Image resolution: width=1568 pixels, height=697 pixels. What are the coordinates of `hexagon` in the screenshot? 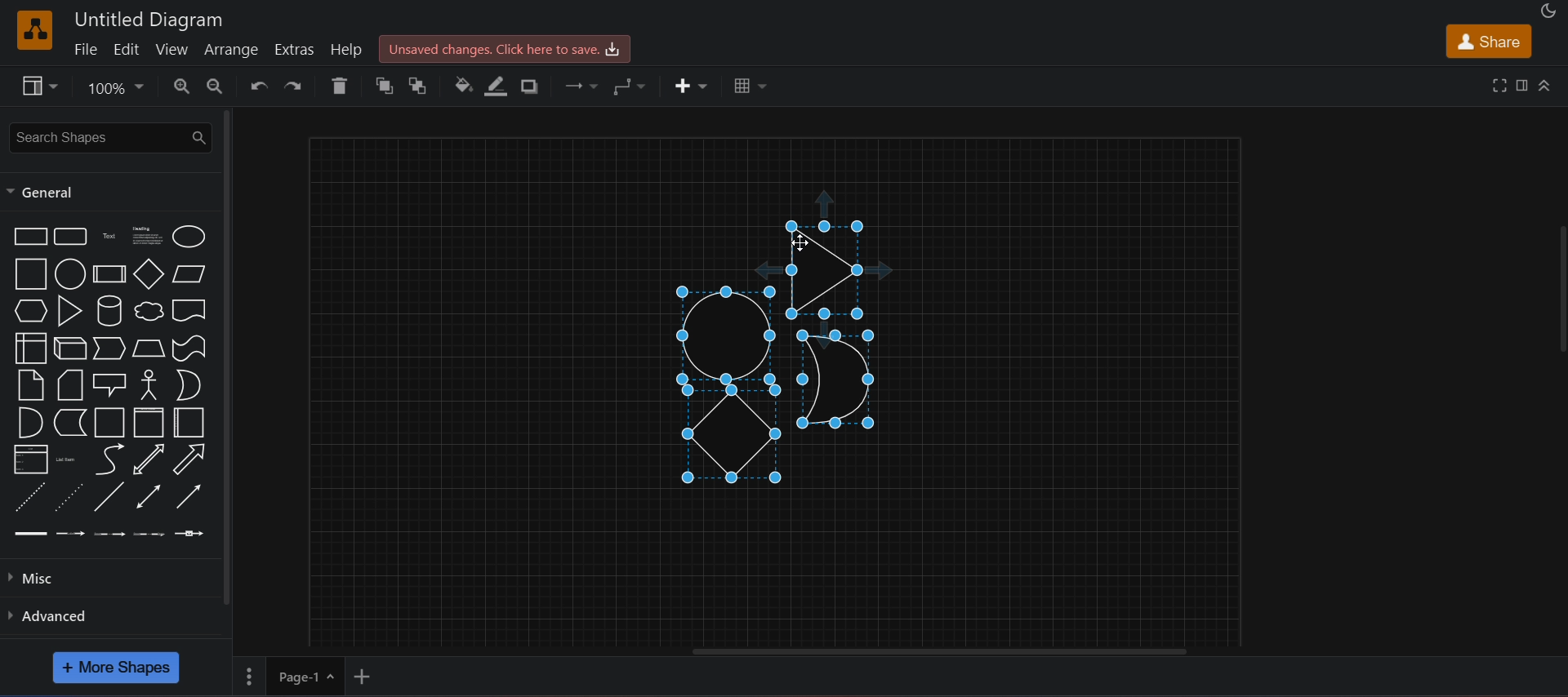 It's located at (28, 311).